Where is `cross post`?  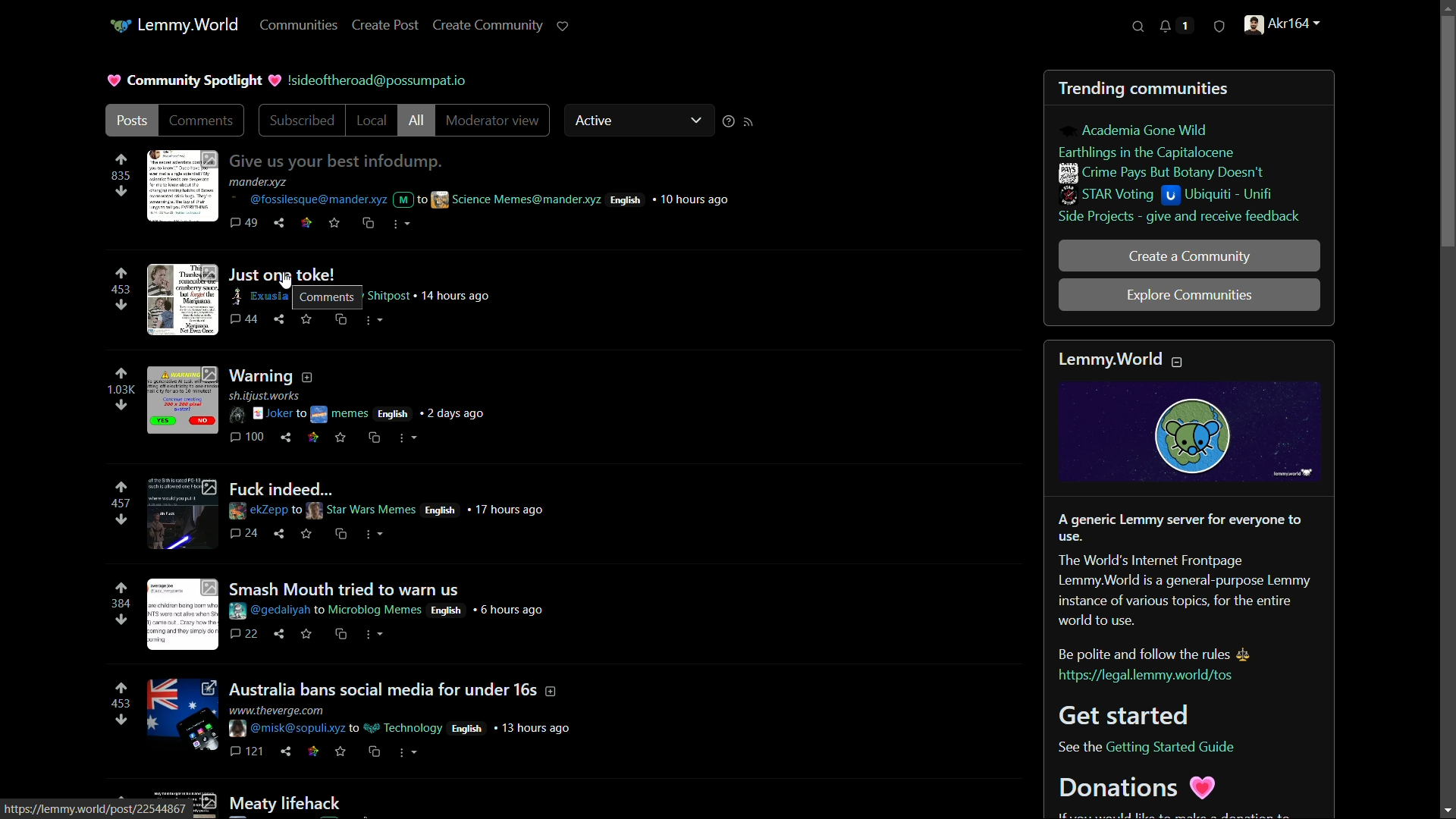 cross post is located at coordinates (342, 320).